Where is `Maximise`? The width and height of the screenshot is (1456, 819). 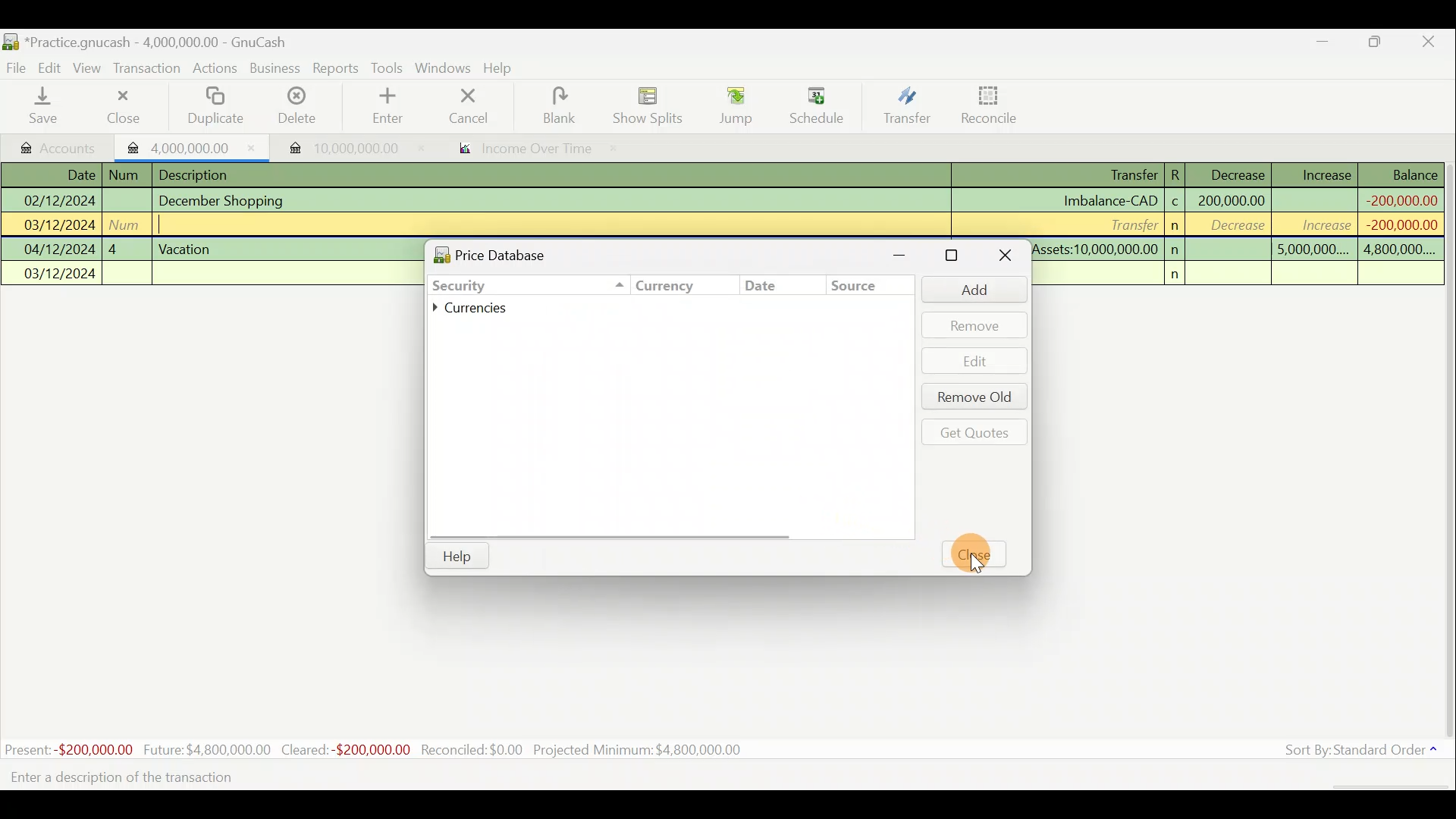
Maximise is located at coordinates (1384, 44).